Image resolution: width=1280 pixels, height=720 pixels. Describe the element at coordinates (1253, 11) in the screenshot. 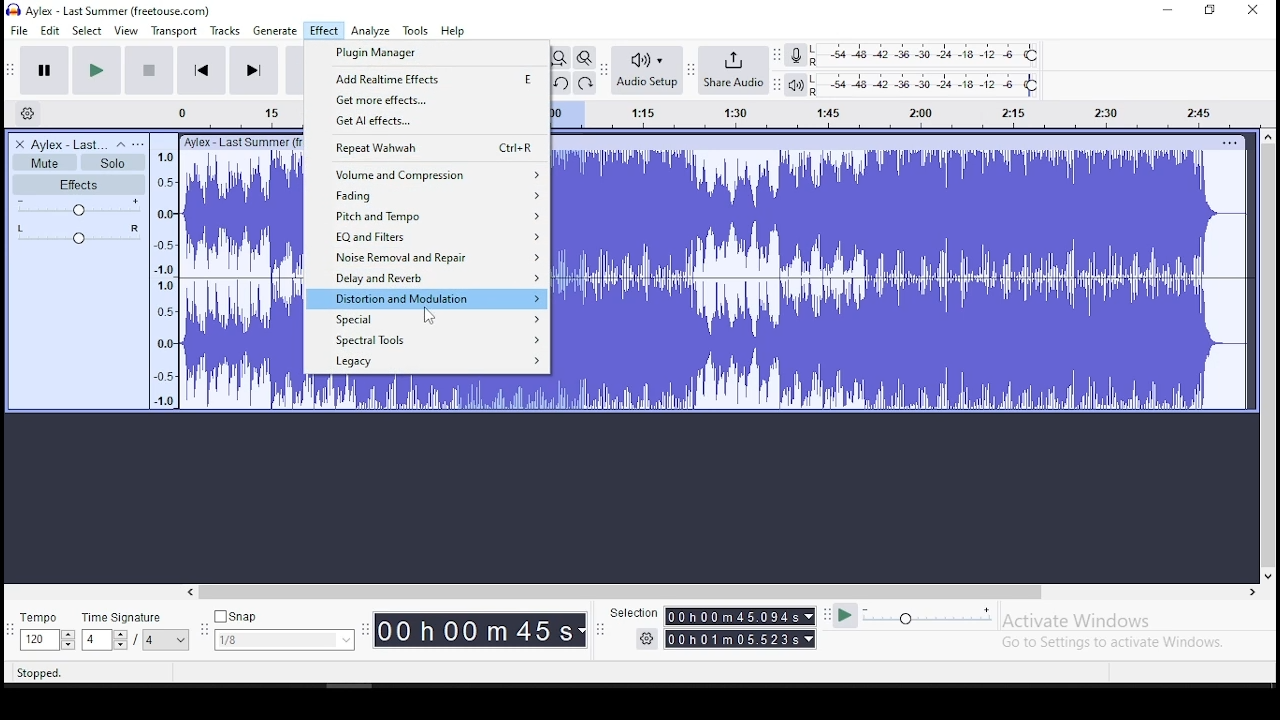

I see `close window` at that location.